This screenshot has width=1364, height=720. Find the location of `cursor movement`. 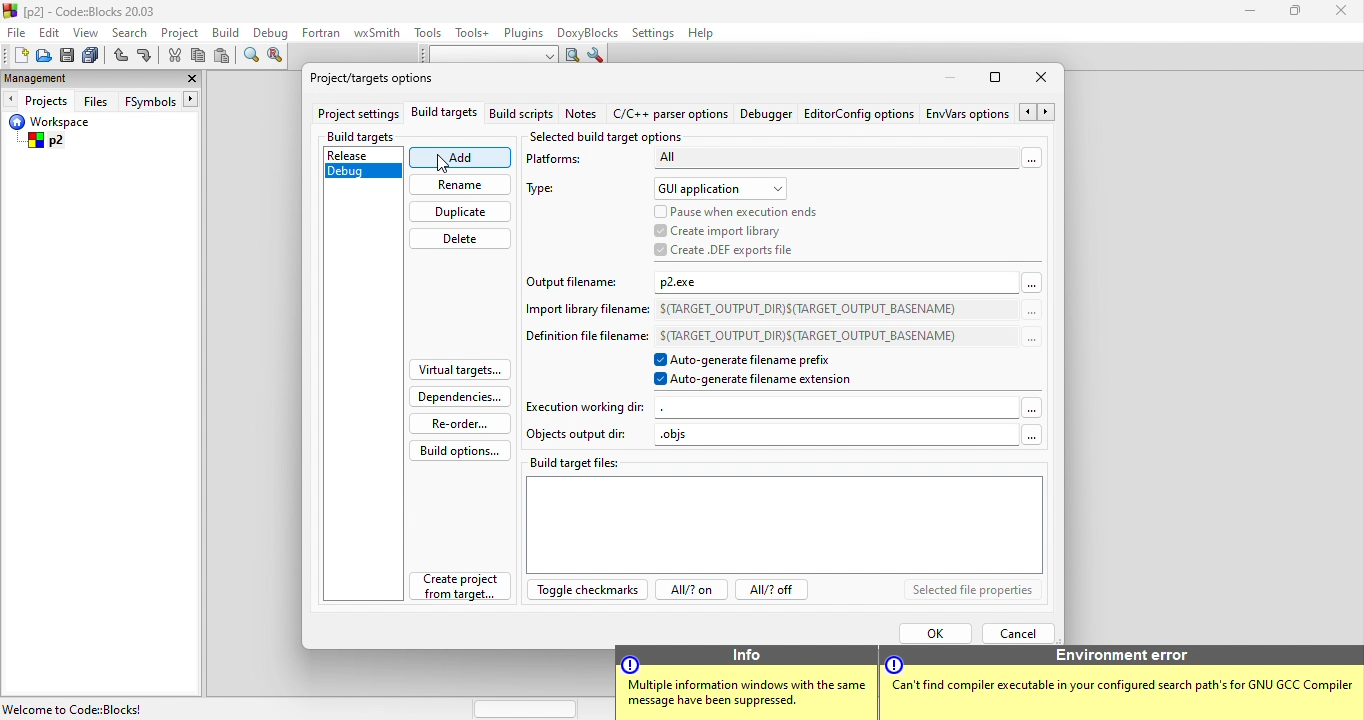

cursor movement is located at coordinates (445, 165).